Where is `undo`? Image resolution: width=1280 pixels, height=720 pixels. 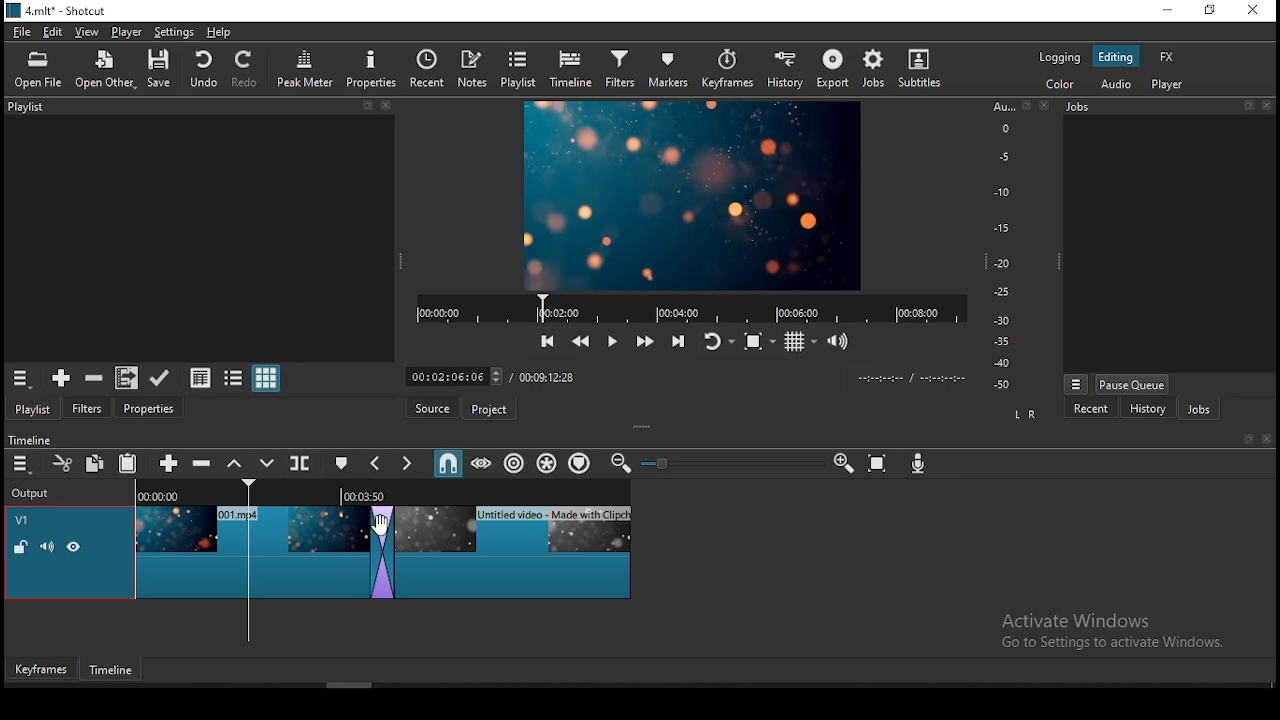 undo is located at coordinates (203, 68).